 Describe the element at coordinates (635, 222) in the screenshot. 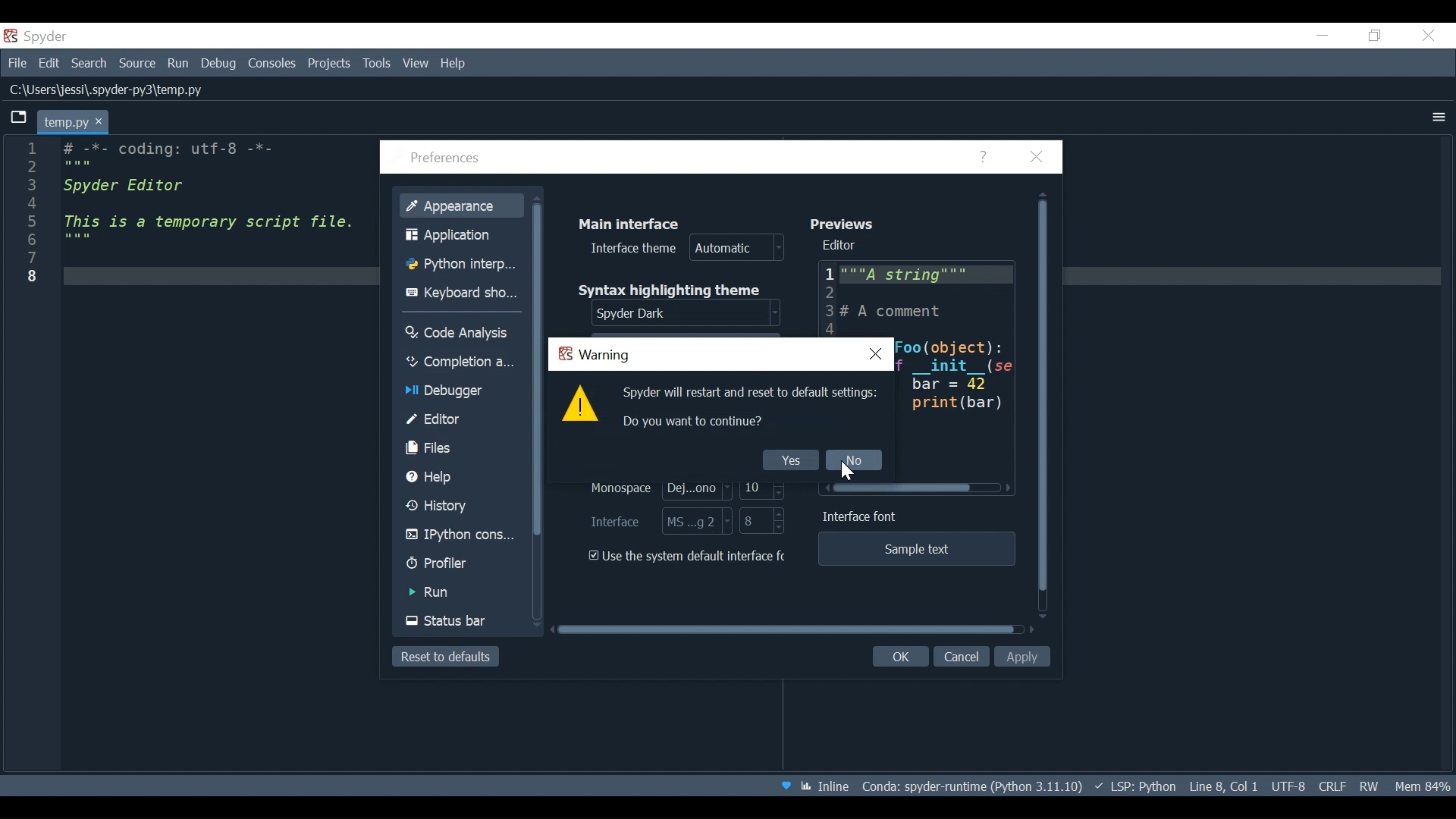

I see `Main Interface` at that location.